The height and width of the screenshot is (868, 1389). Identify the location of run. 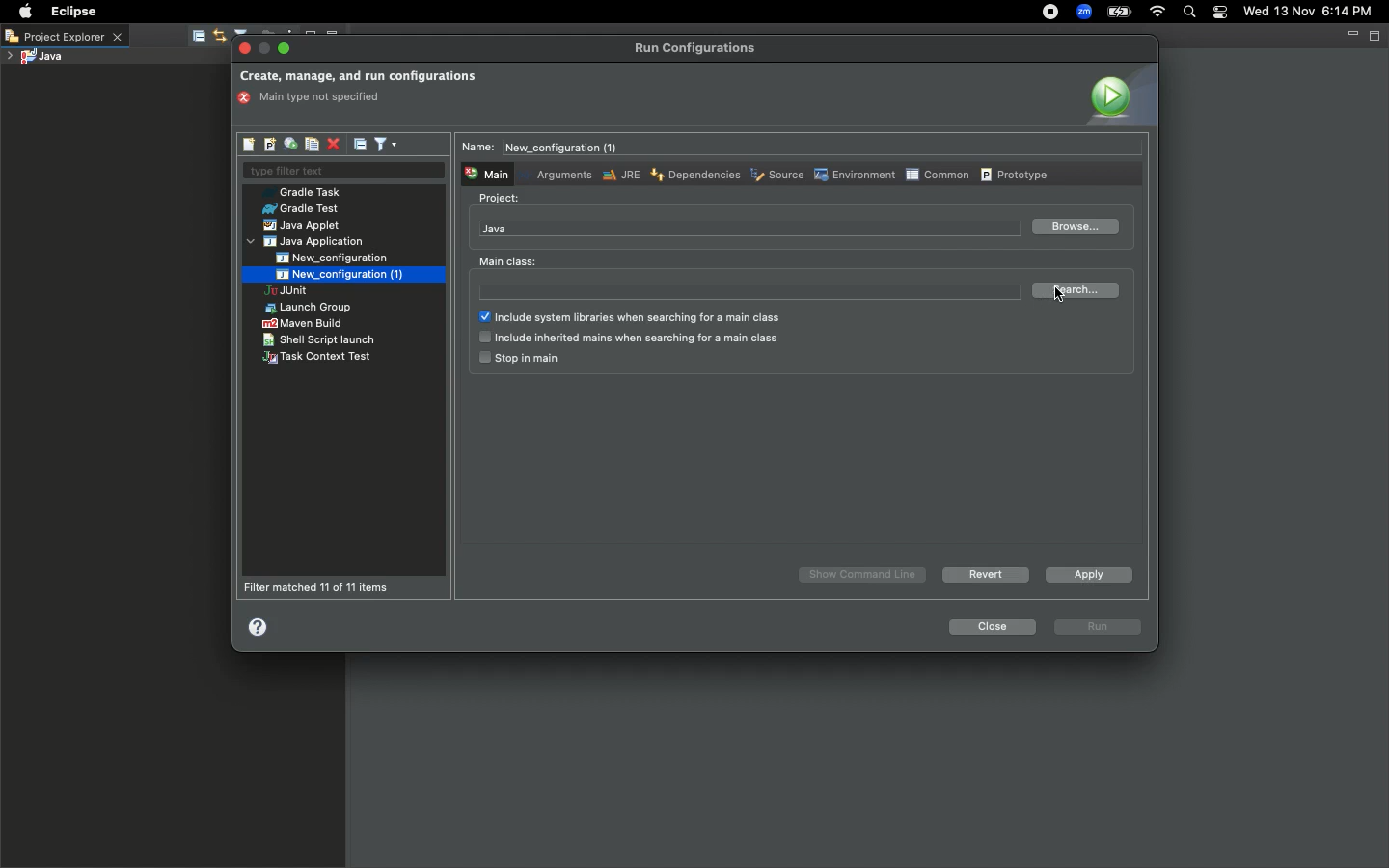
(1099, 628).